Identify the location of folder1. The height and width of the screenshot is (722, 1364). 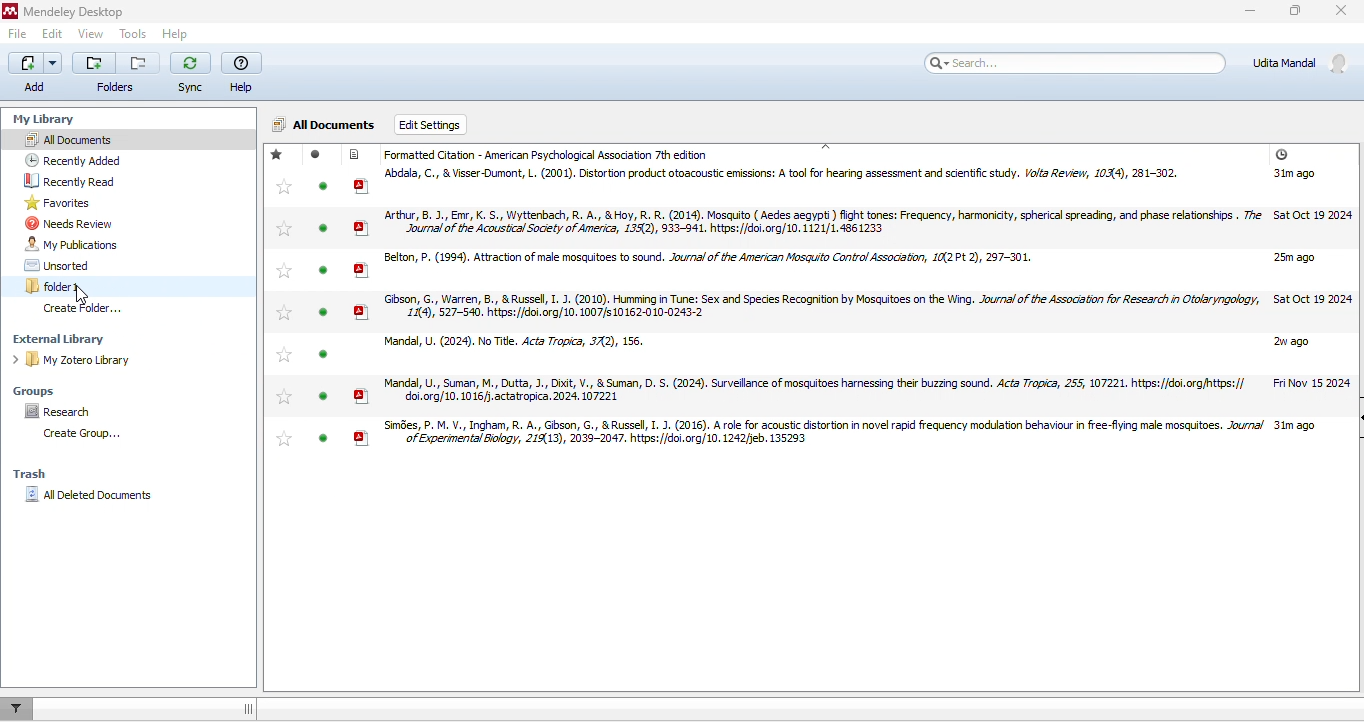
(78, 284).